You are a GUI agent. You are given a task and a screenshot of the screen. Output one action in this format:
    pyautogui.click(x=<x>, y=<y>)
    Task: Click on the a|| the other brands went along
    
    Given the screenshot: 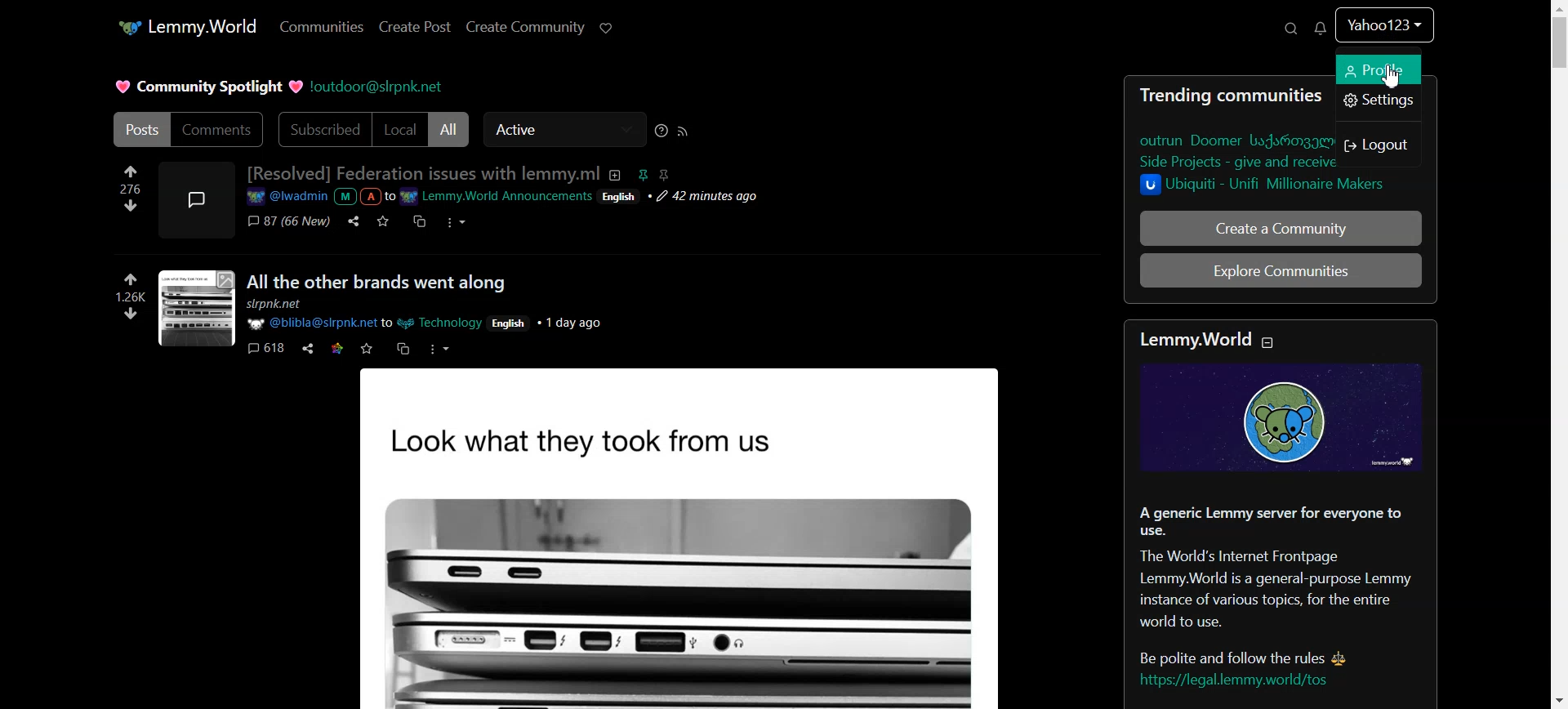 What is the action you would take?
    pyautogui.click(x=377, y=283)
    